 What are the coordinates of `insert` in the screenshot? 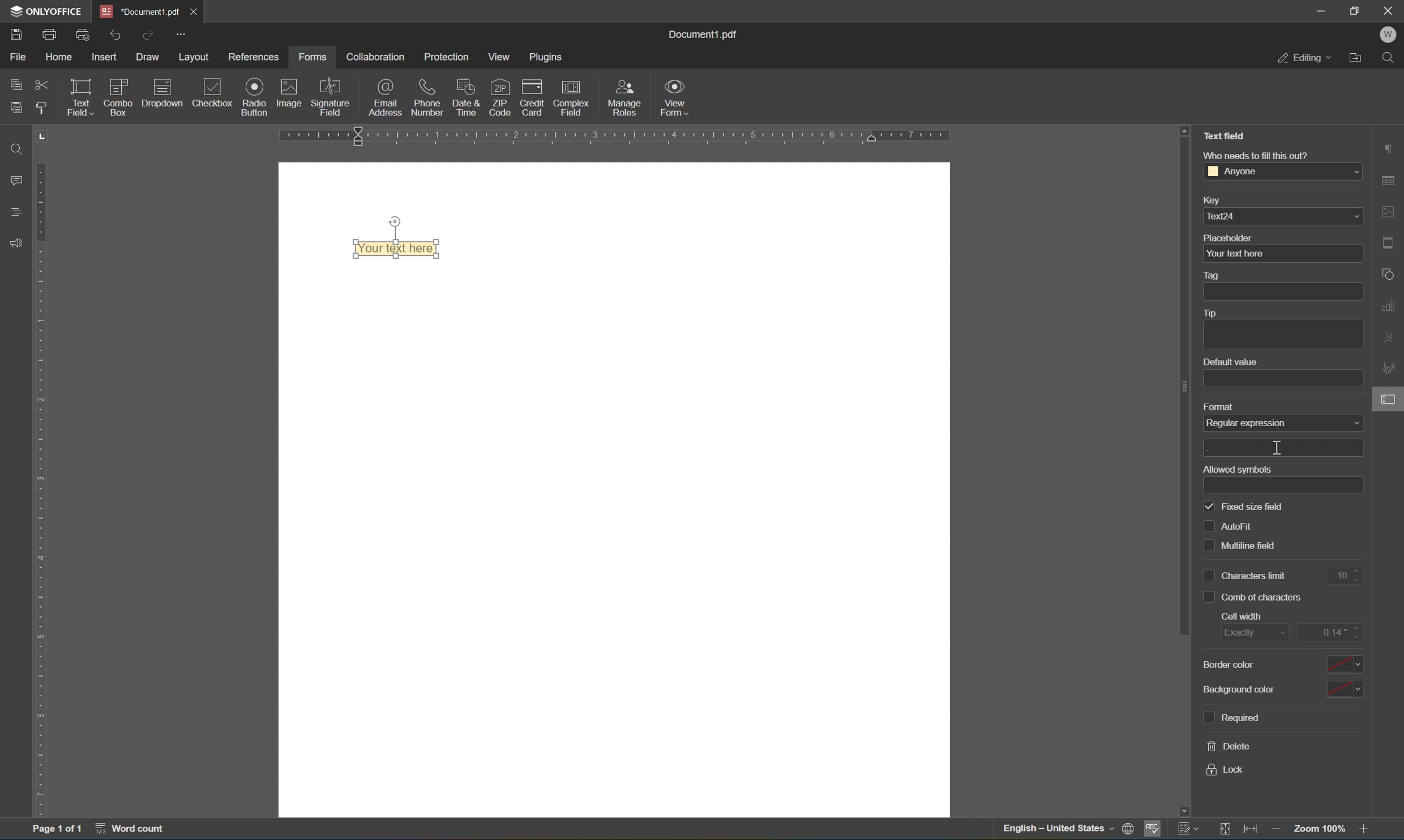 It's located at (106, 58).